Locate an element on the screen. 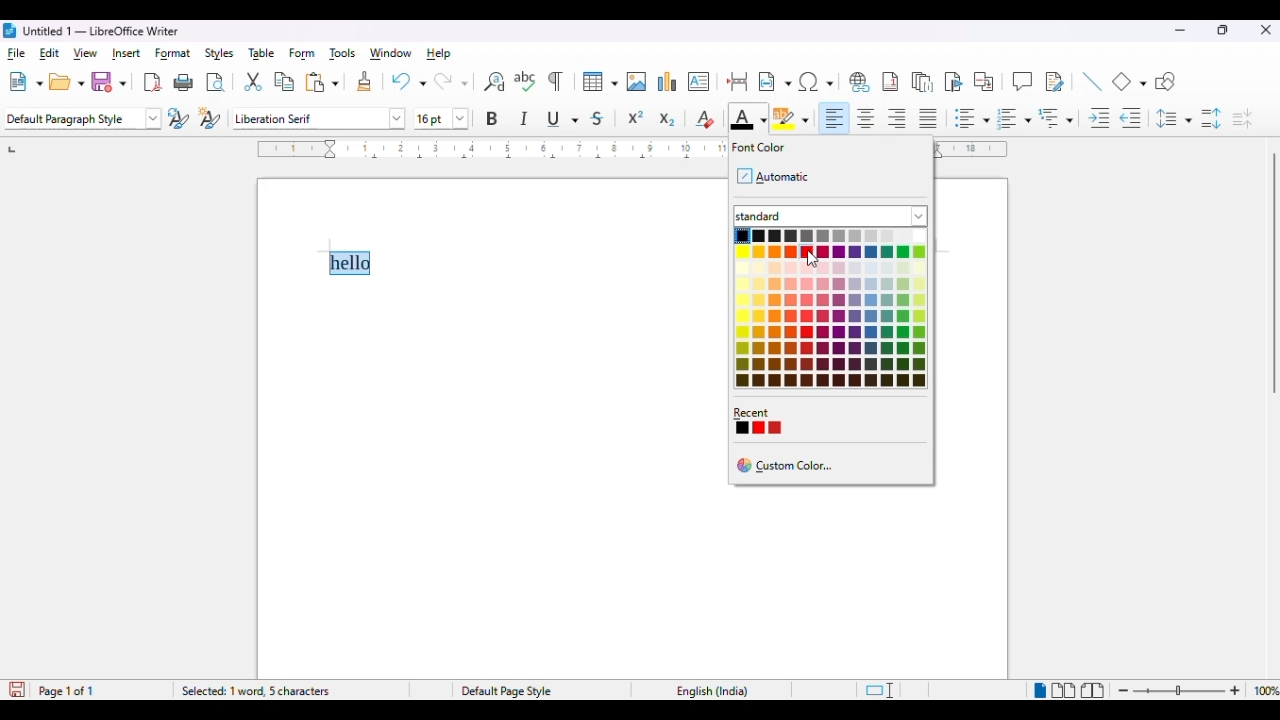 The height and width of the screenshot is (720, 1280). page style is located at coordinates (507, 691).